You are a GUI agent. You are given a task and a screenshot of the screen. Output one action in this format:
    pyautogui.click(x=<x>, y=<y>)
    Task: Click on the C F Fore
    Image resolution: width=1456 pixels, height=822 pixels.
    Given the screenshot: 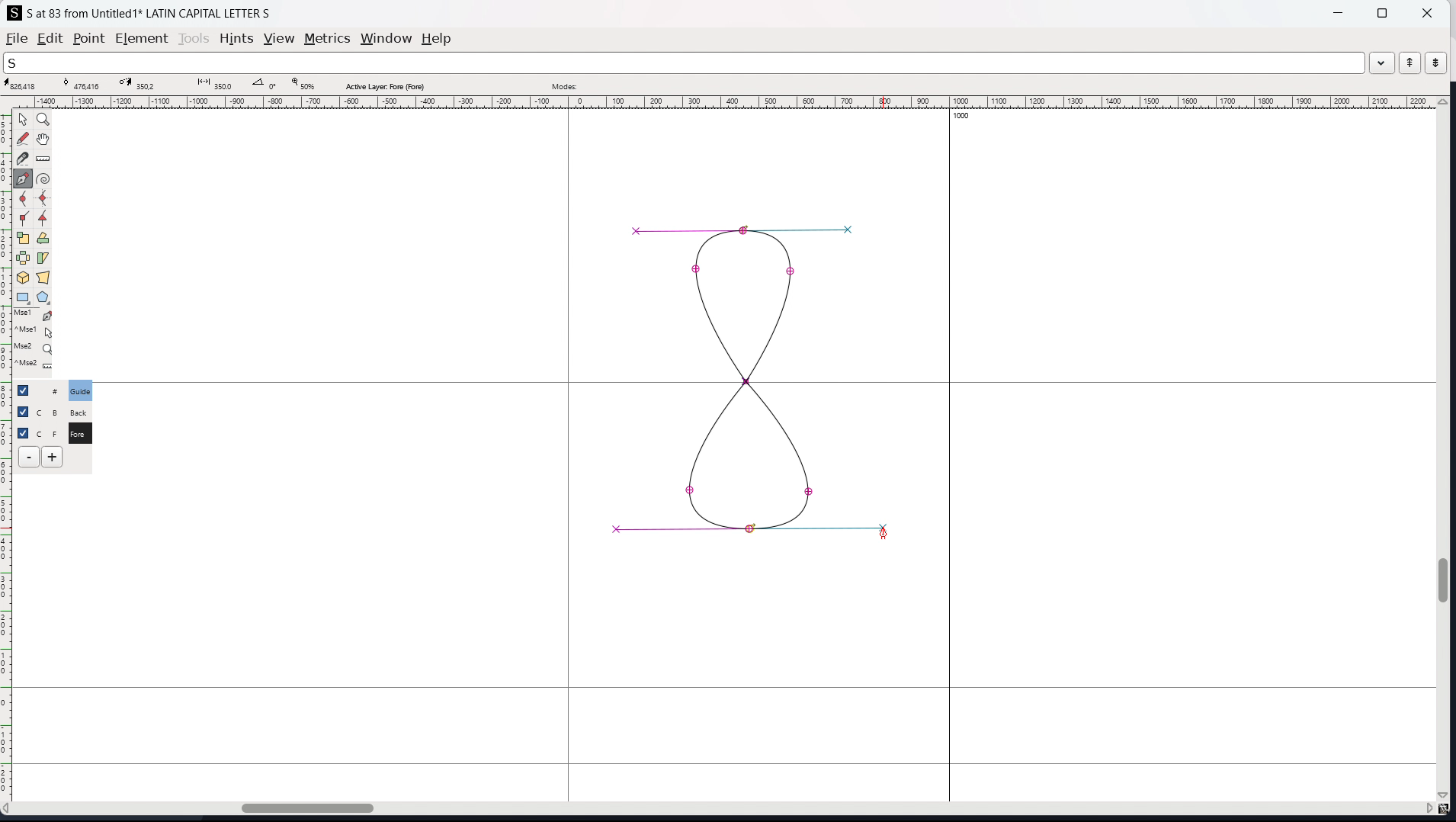 What is the action you would take?
    pyautogui.click(x=79, y=432)
    